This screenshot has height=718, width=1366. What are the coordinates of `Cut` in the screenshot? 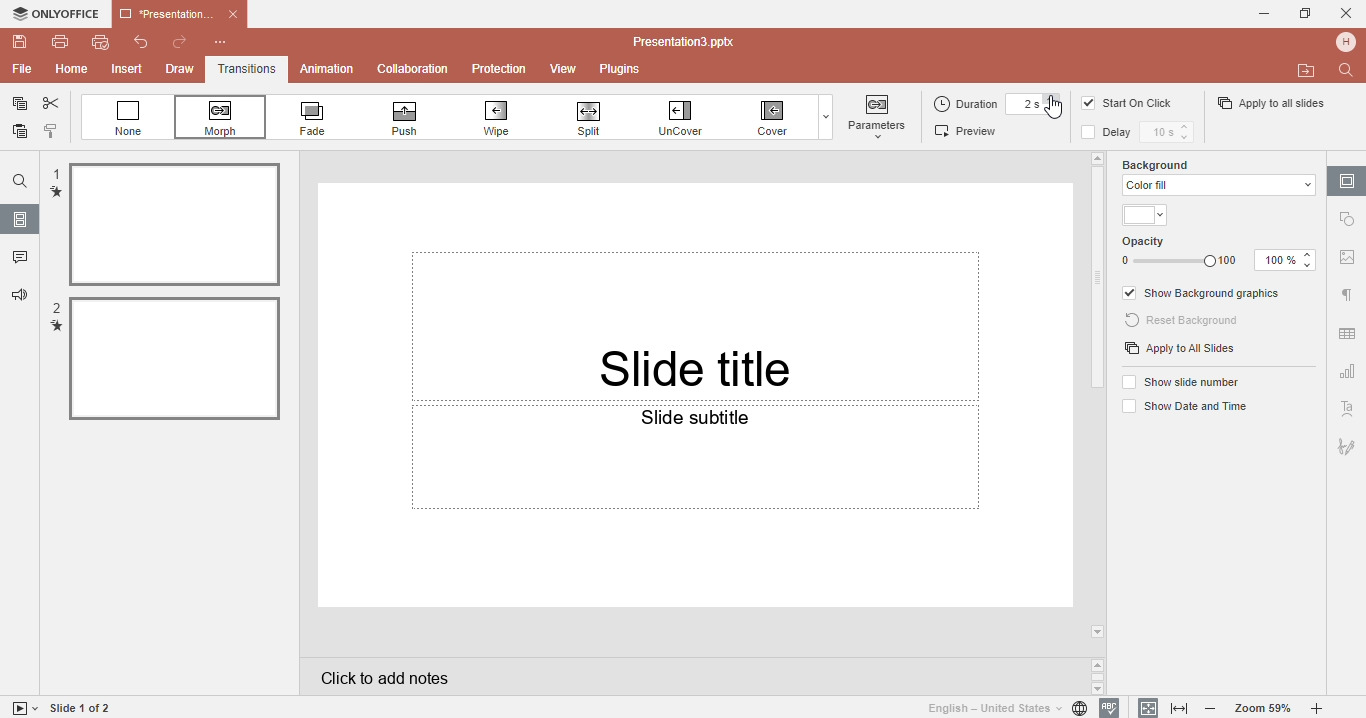 It's located at (52, 104).